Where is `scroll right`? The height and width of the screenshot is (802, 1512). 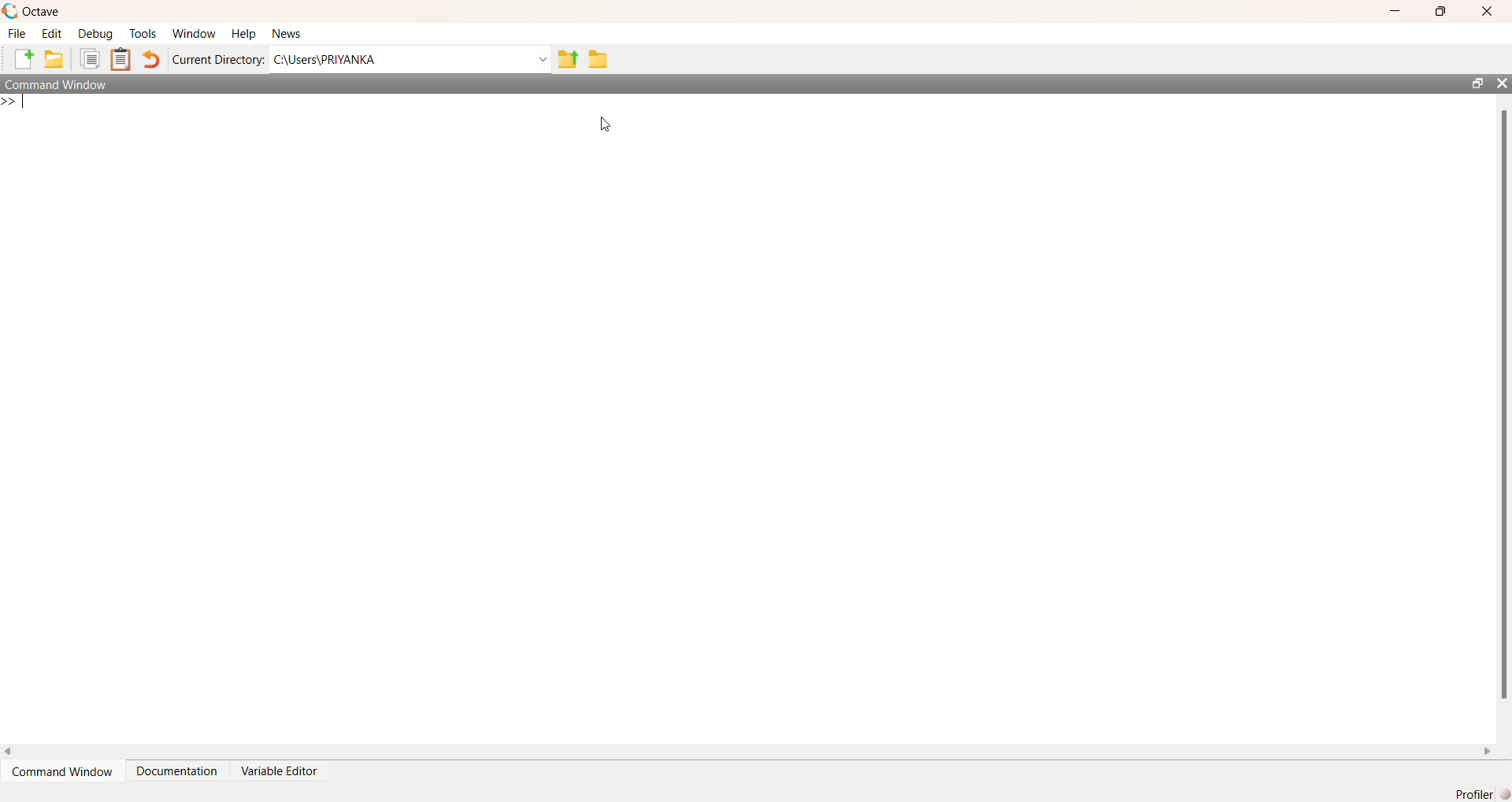
scroll right is located at coordinates (1487, 752).